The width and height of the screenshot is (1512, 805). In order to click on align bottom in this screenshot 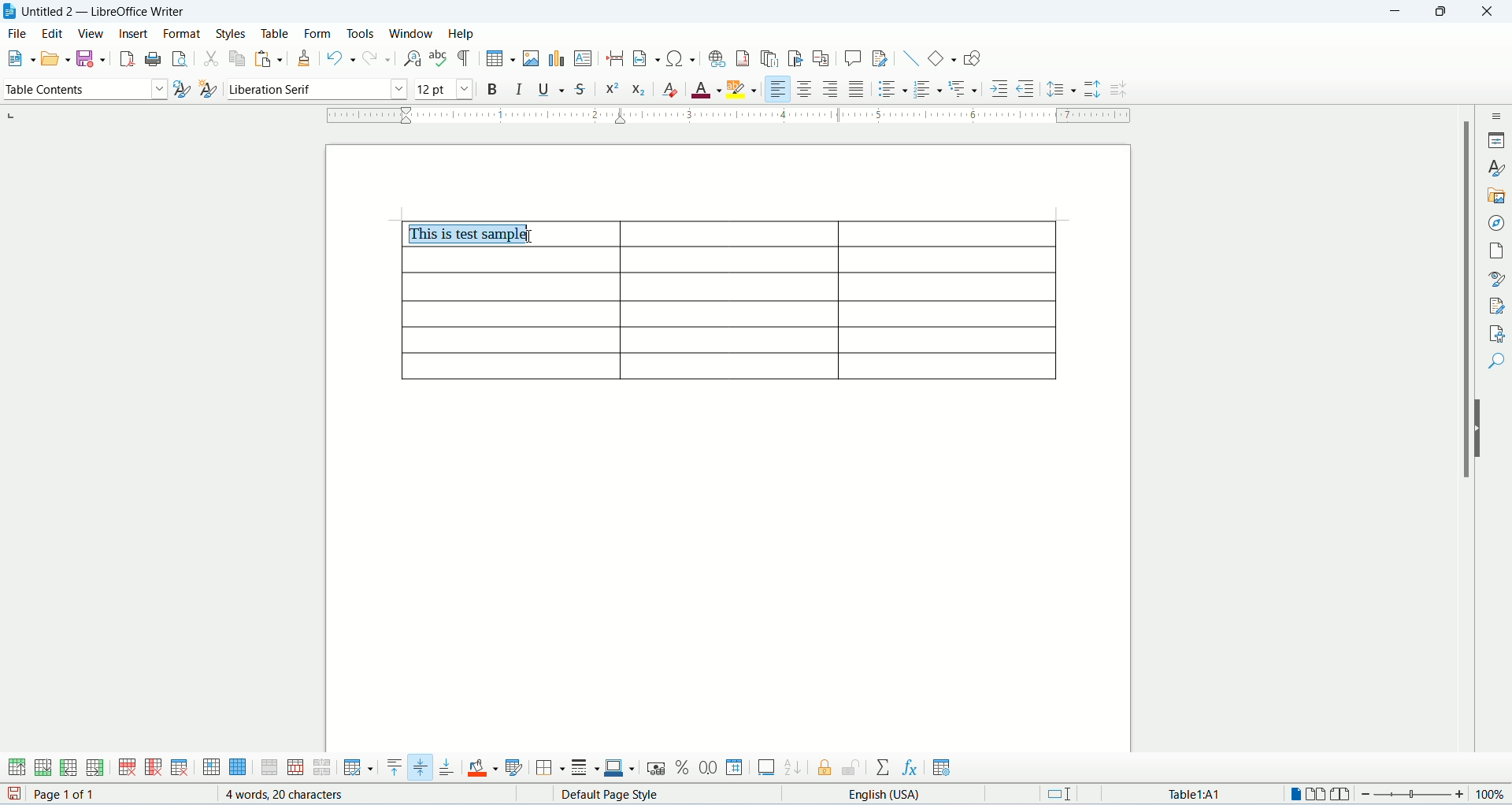, I will do `click(447, 767)`.